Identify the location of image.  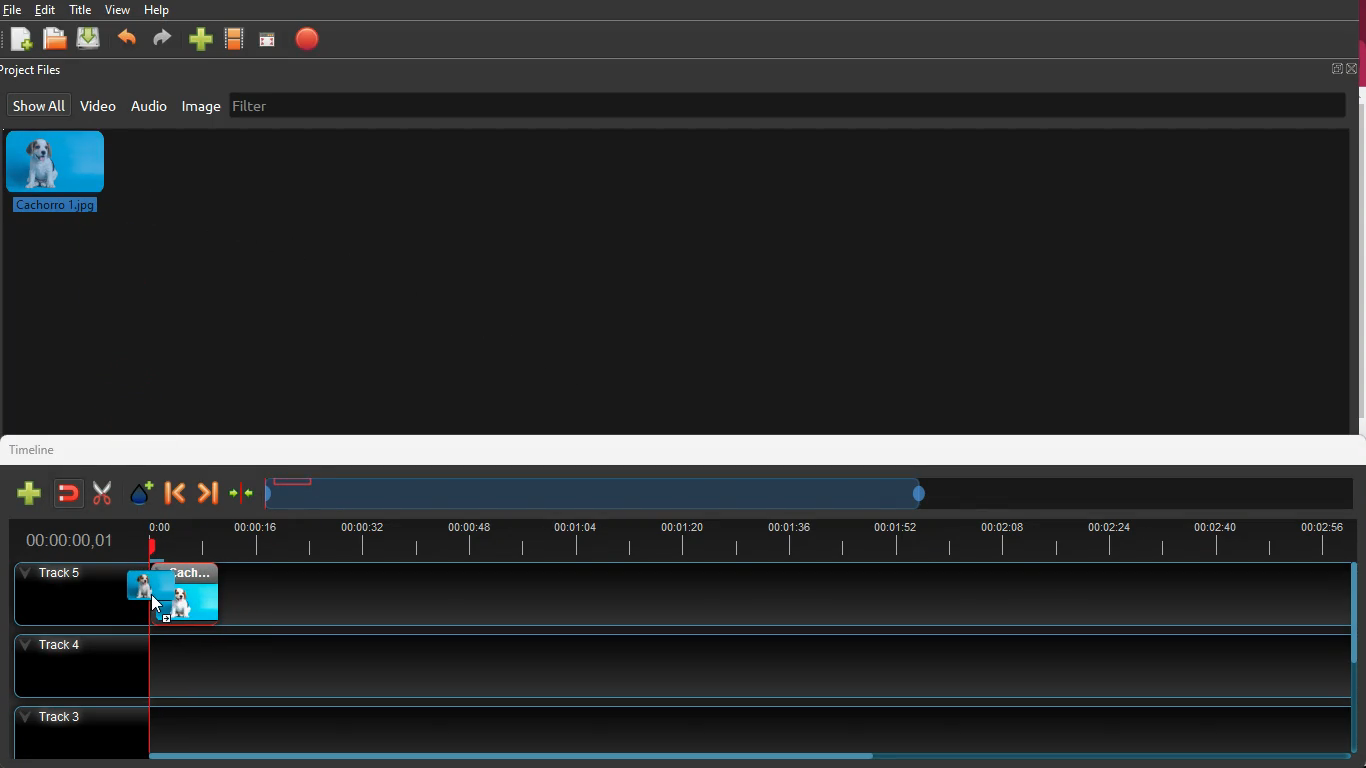
(64, 172).